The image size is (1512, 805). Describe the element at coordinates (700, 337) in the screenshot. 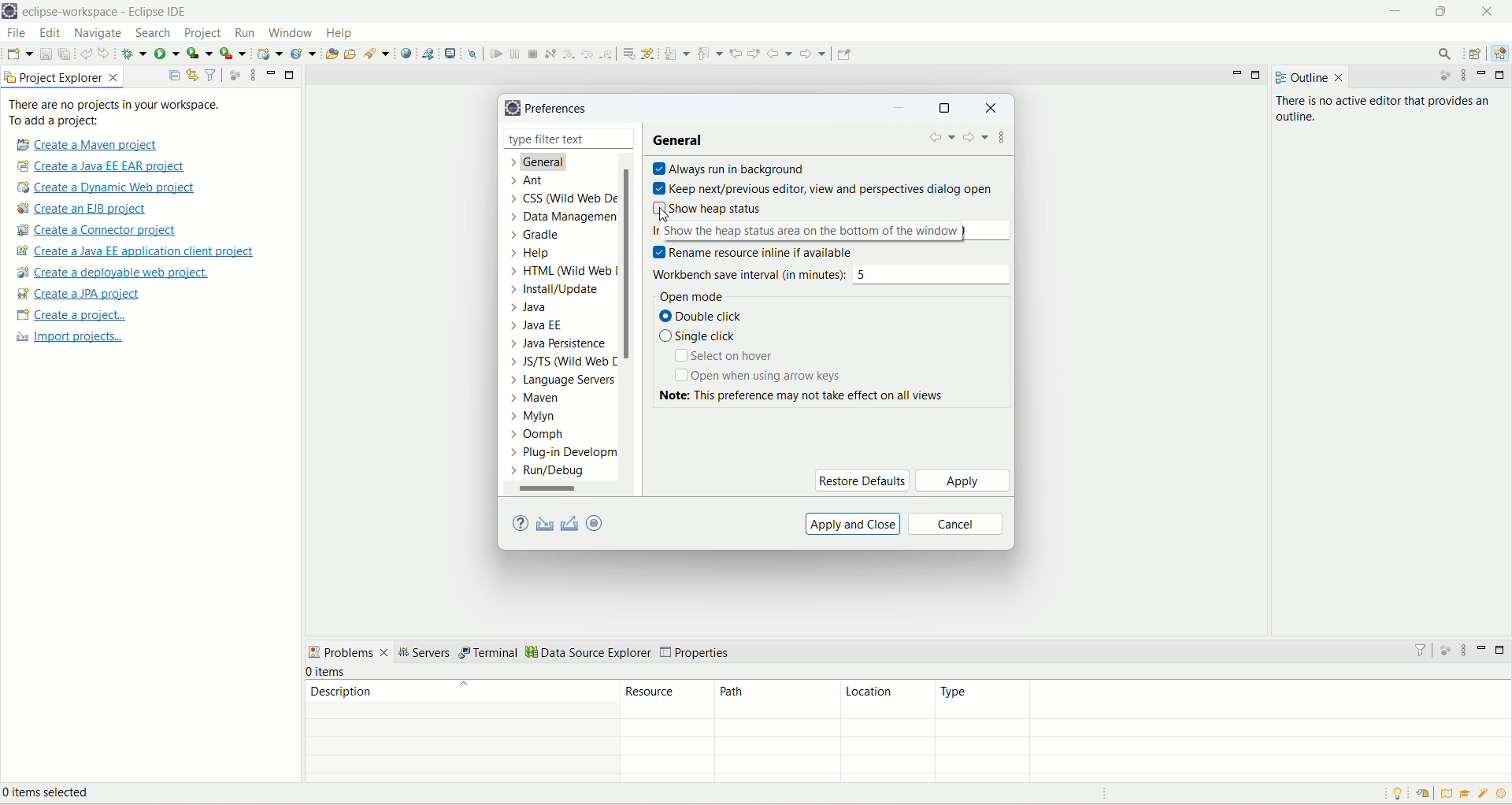

I see `single click` at that location.